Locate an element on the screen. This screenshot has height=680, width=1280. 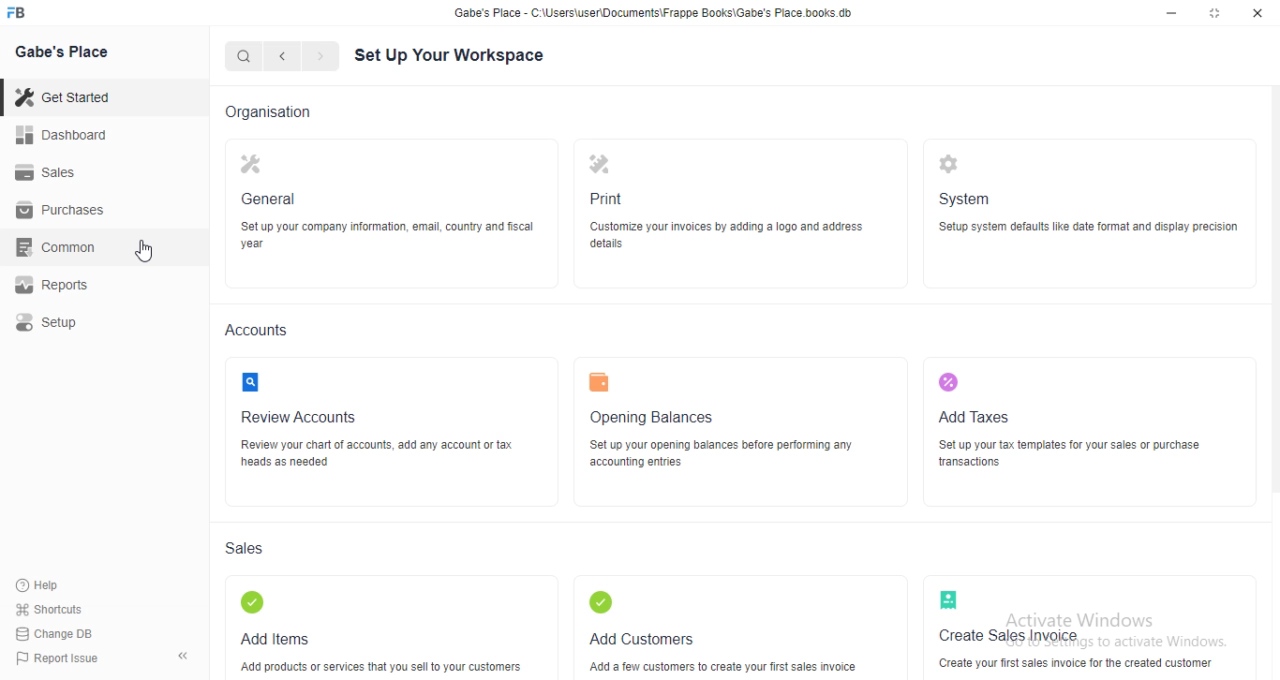
‘Setup system defaults like date format and display precision is located at coordinates (1092, 227).